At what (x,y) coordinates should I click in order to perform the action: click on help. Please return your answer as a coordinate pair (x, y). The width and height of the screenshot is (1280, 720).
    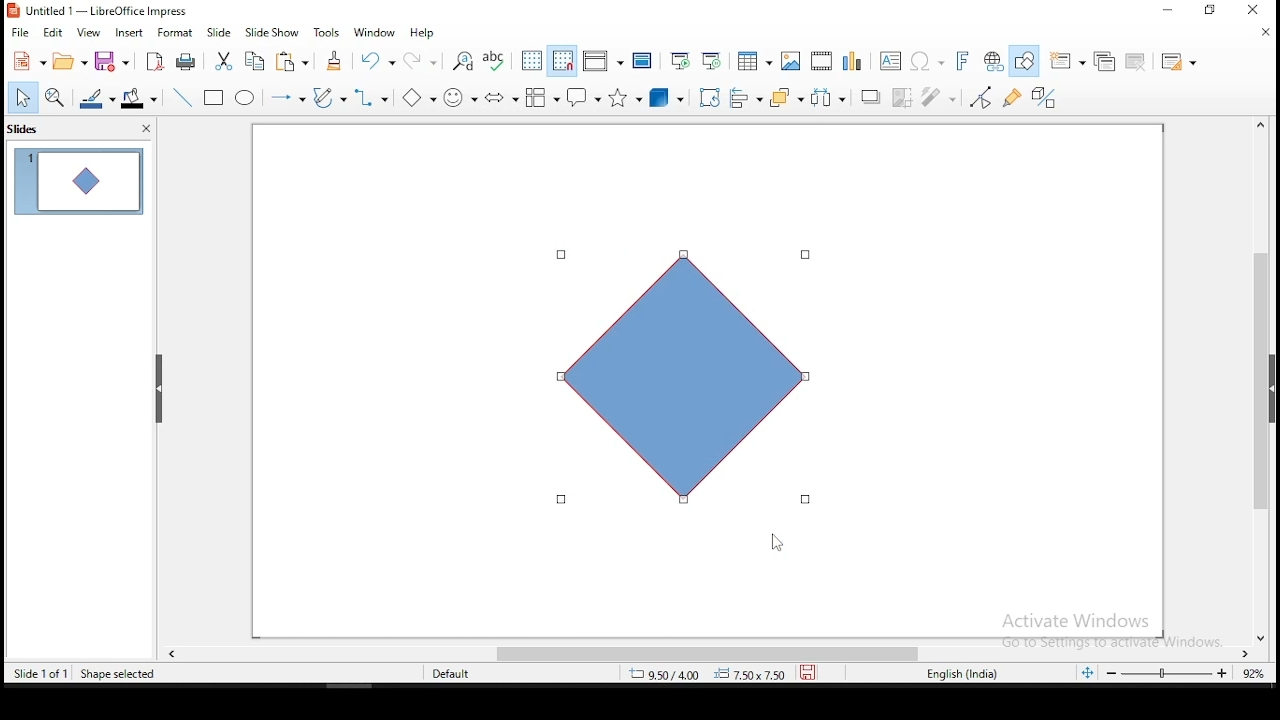
    Looking at the image, I should click on (423, 34).